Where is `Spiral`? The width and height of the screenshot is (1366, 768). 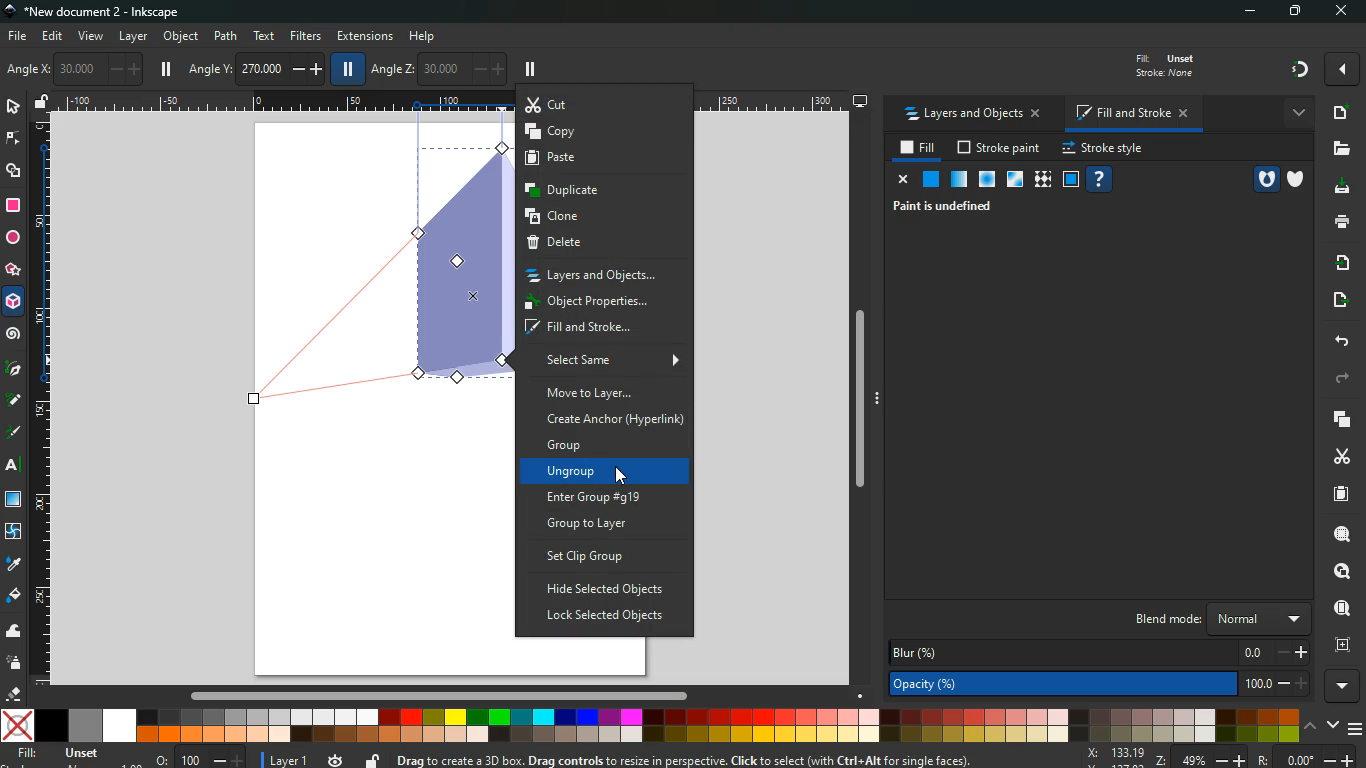 Spiral is located at coordinates (16, 335).